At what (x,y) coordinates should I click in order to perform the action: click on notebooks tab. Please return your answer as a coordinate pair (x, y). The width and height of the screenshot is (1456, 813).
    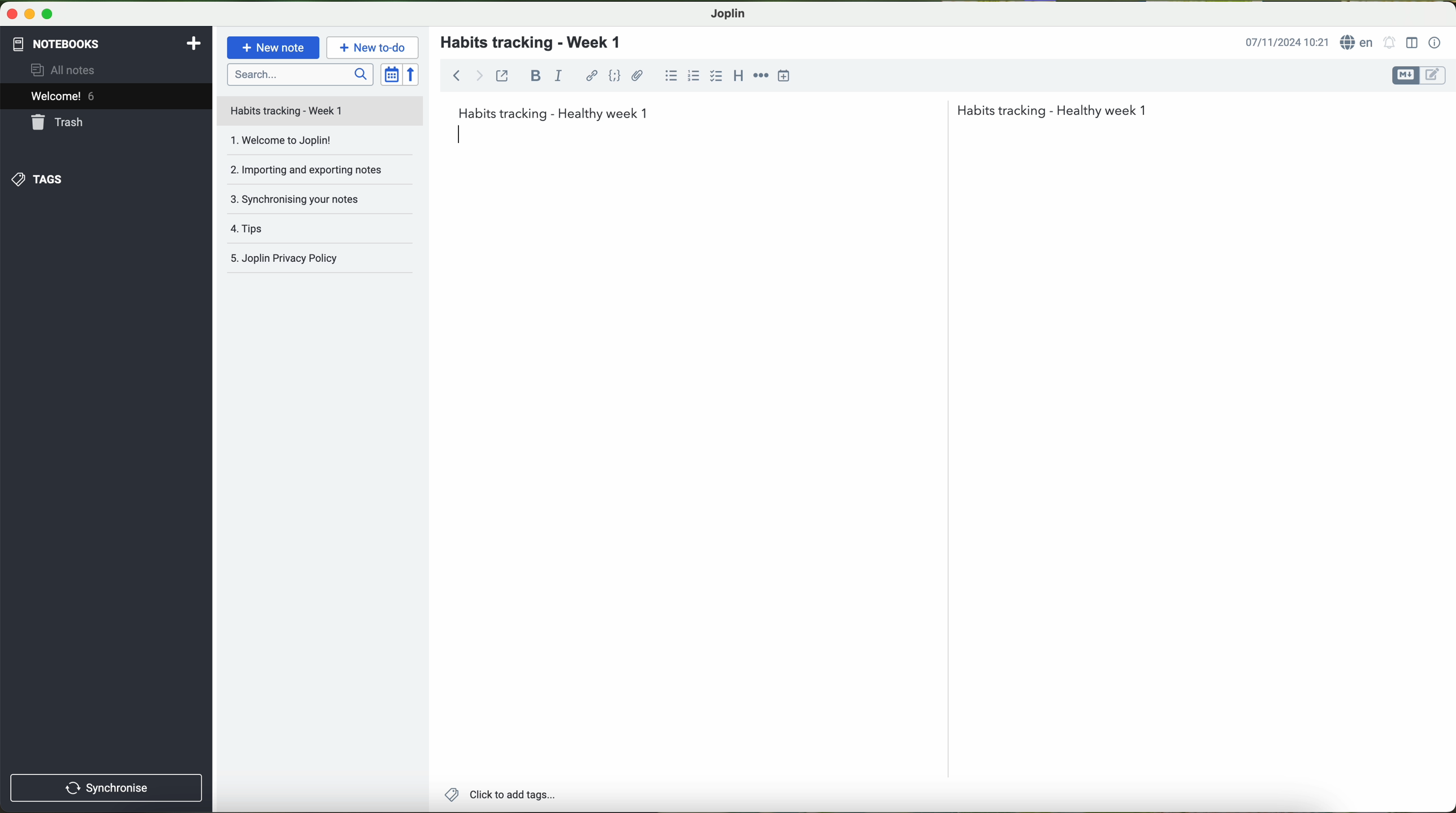
    Looking at the image, I should click on (108, 44).